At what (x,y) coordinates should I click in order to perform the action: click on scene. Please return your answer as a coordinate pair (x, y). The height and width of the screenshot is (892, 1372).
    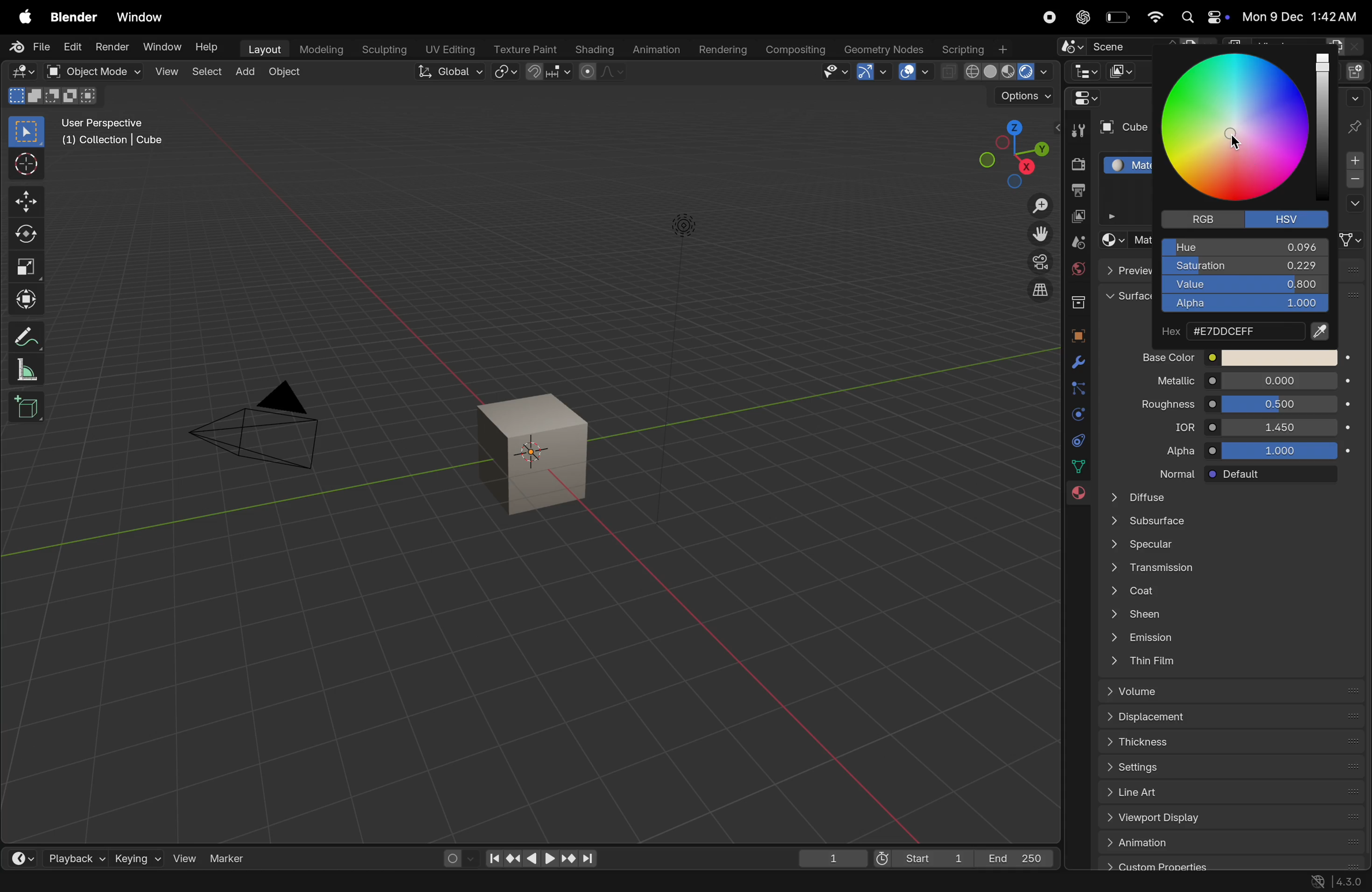
    Looking at the image, I should click on (1076, 242).